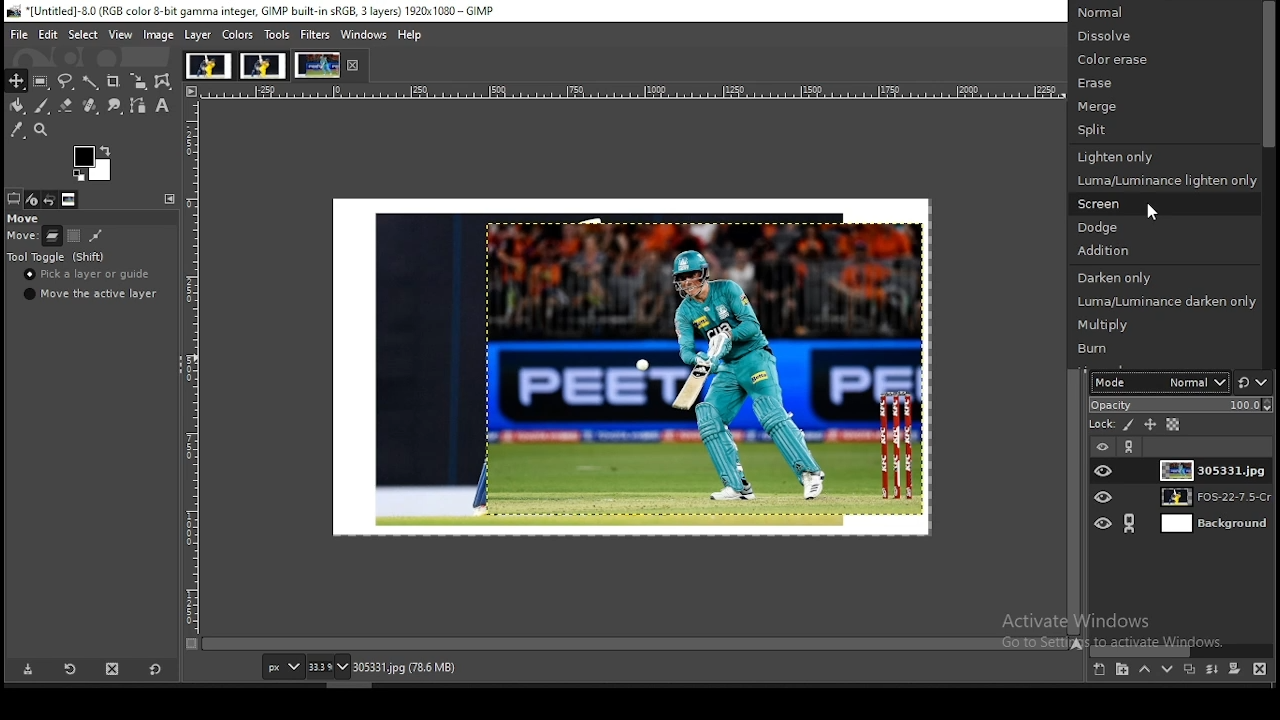 Image resolution: width=1280 pixels, height=720 pixels. What do you see at coordinates (25, 219) in the screenshot?
I see `move` at bounding box center [25, 219].